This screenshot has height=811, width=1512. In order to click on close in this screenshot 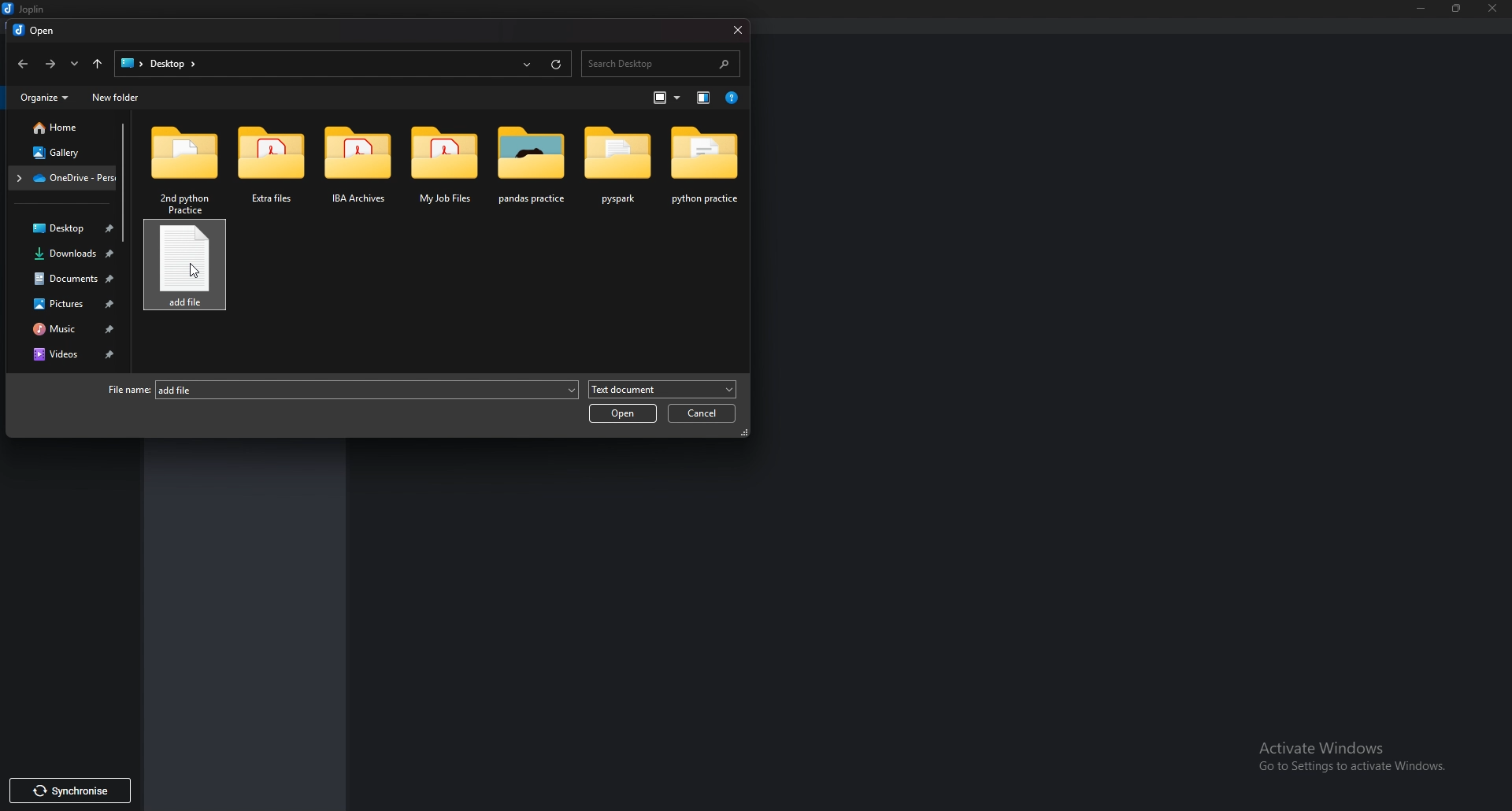, I will do `click(736, 30)`.